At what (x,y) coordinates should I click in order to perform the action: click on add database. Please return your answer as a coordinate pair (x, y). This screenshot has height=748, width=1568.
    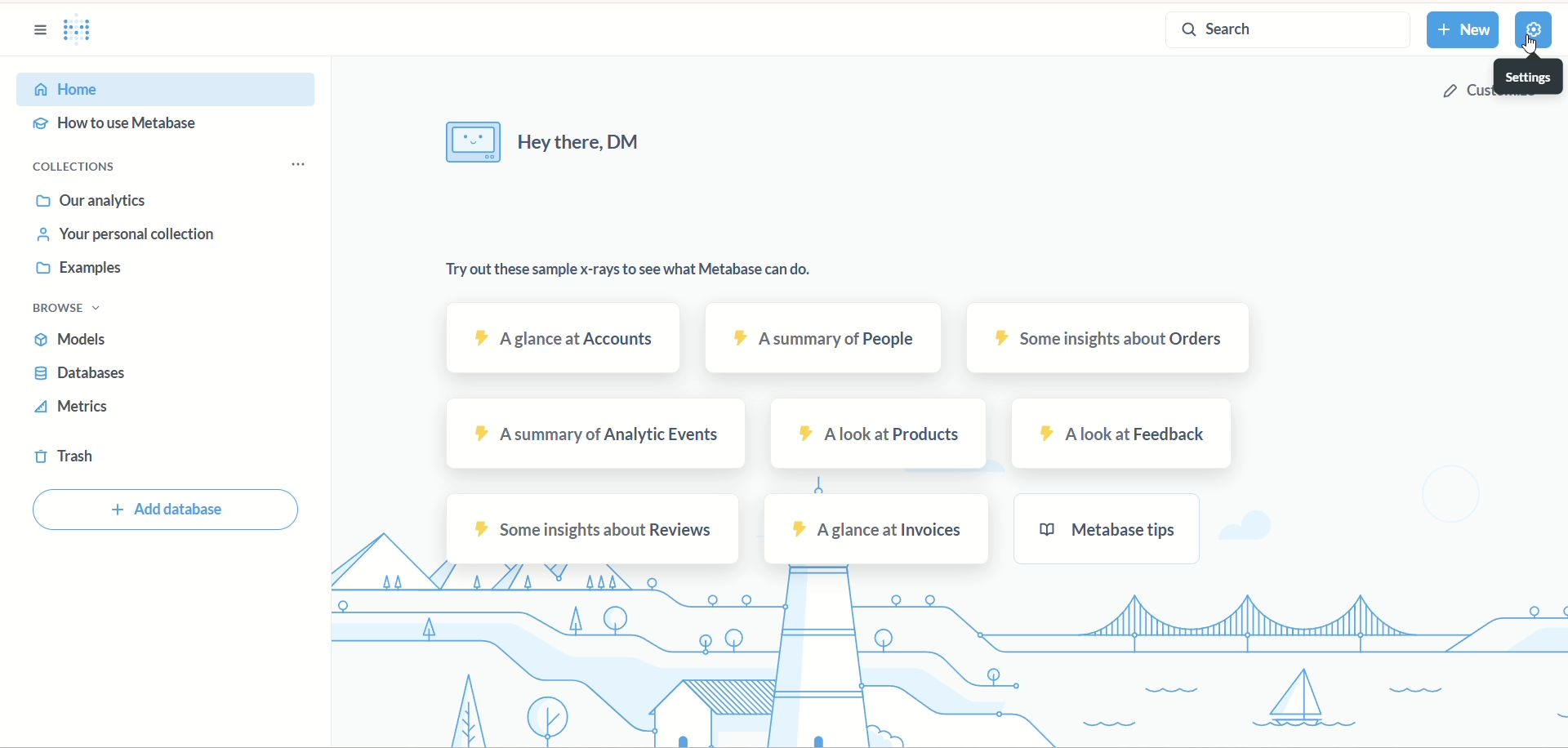
    Looking at the image, I should click on (167, 510).